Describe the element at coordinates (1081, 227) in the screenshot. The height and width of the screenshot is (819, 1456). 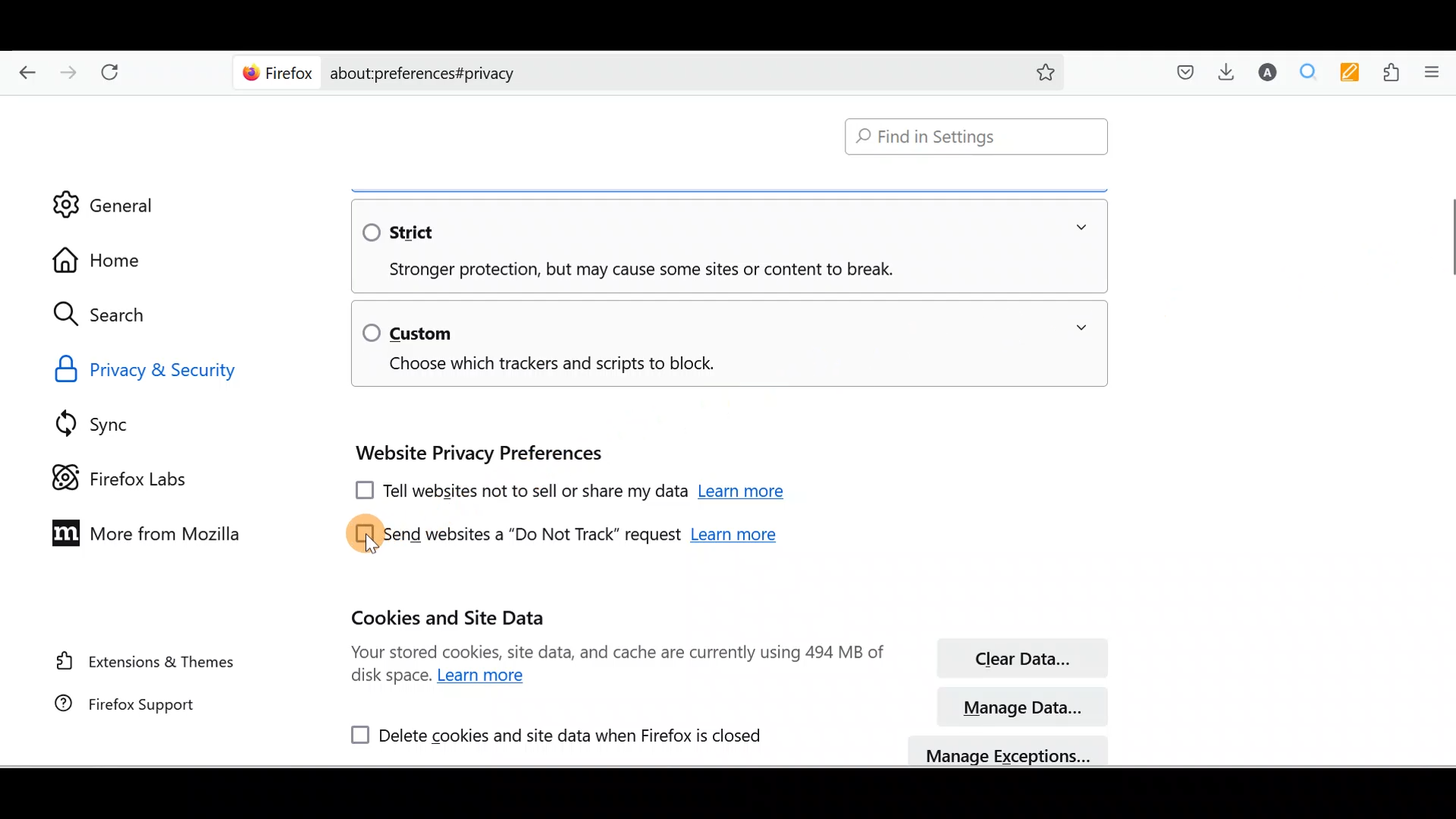
I see `expand` at that location.